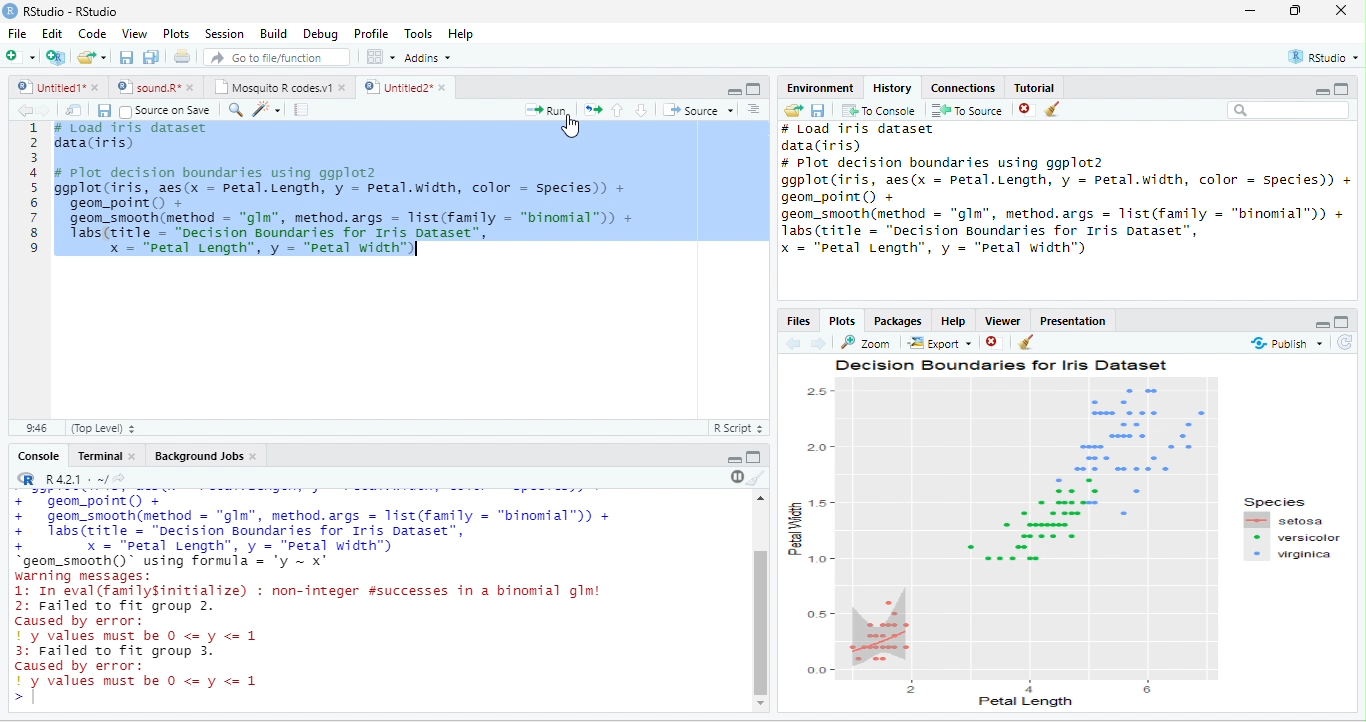  I want to click on warning messages:

1: In eval(familySinitialize) : non-integer #successes in a binomial glm!
2: Failed to fit group 2.

Caused by error:

I y values must be 0 <= y <= 1

3: Failed to fit group 3.

Caused by error:

Iy values must be 0 <= y <= 1, so click(314, 630).